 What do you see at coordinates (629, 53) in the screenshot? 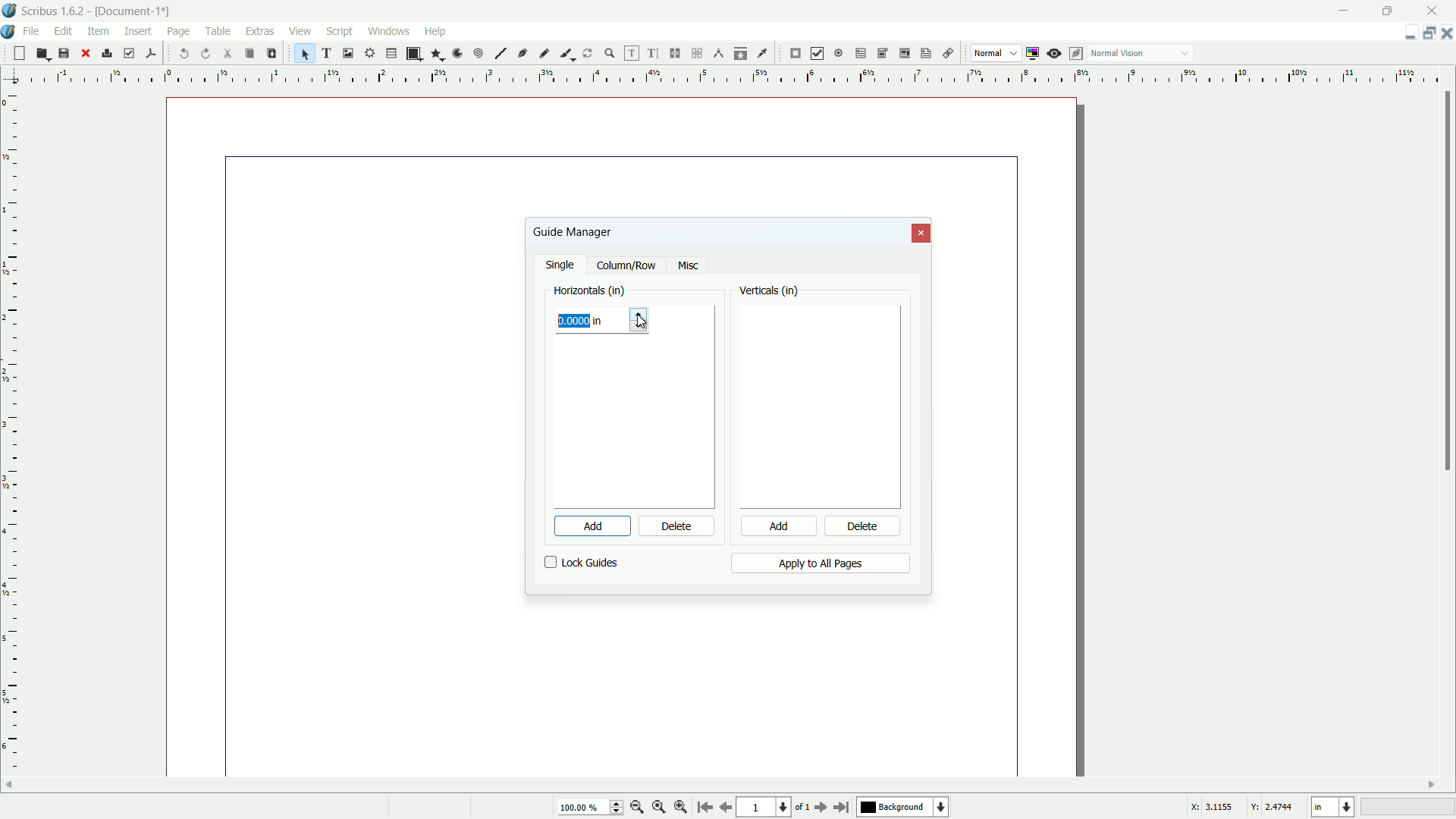
I see `edit contents of frame` at bounding box center [629, 53].